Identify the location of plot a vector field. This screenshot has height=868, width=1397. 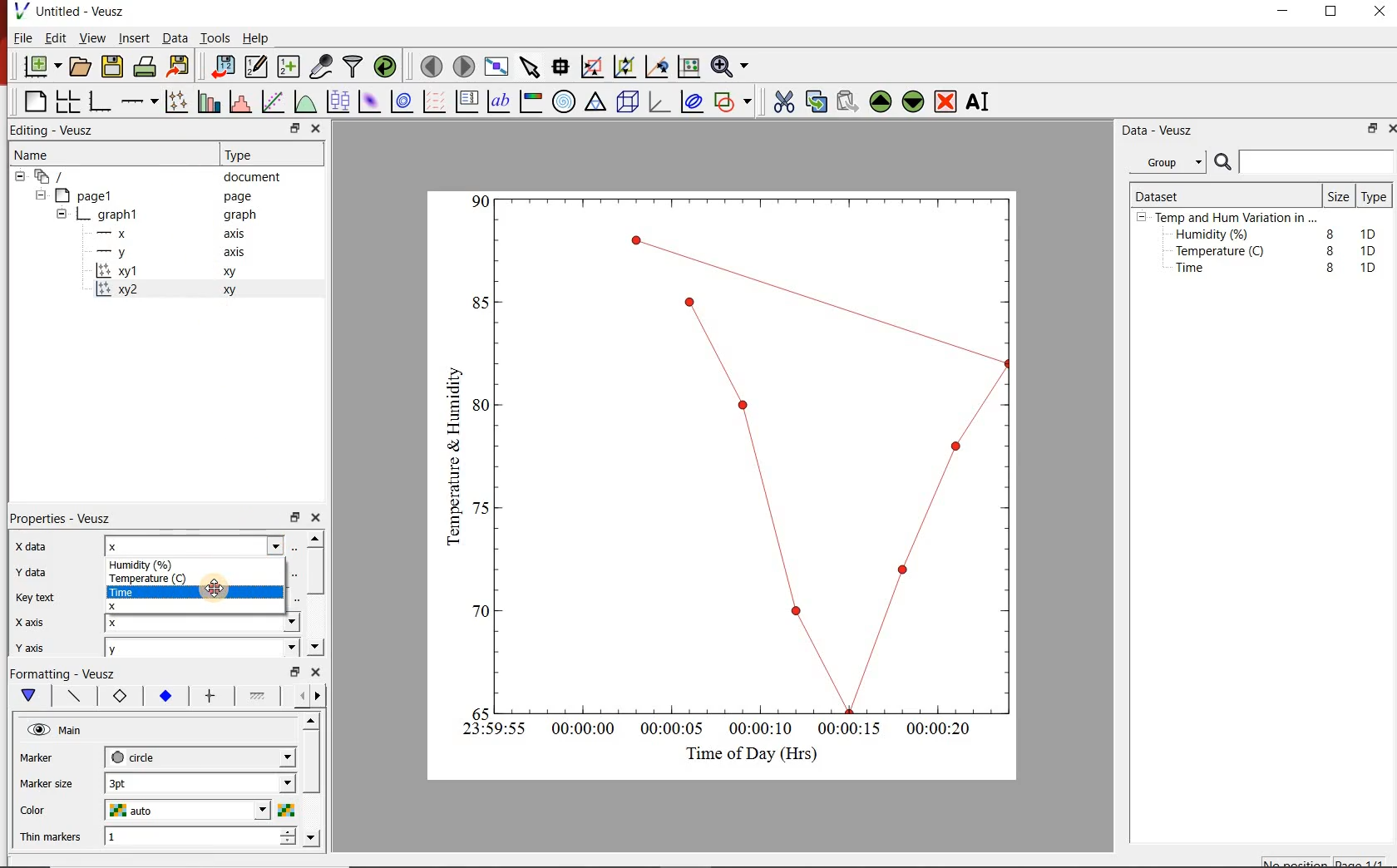
(435, 101).